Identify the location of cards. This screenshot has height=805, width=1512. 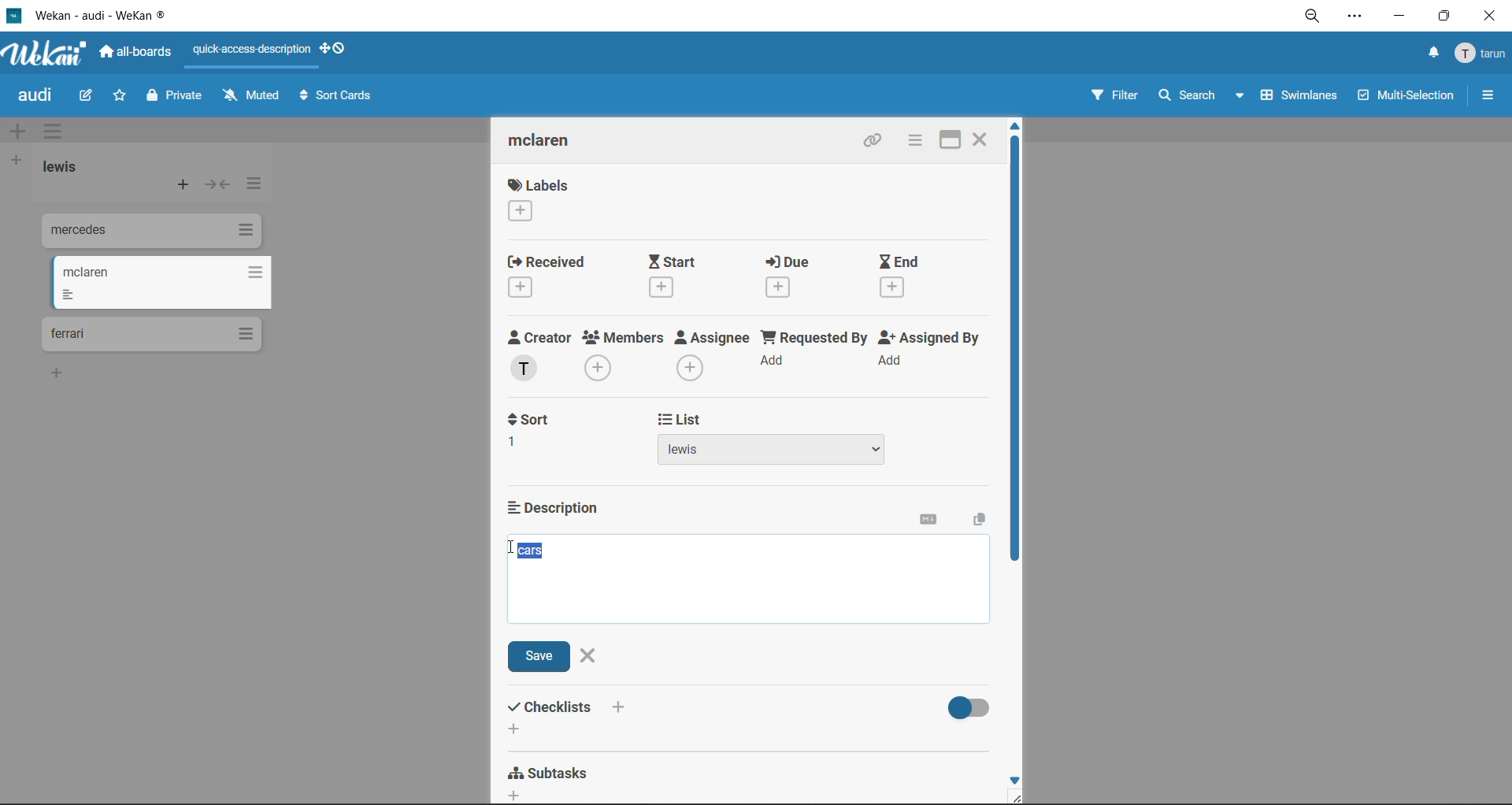
(151, 335).